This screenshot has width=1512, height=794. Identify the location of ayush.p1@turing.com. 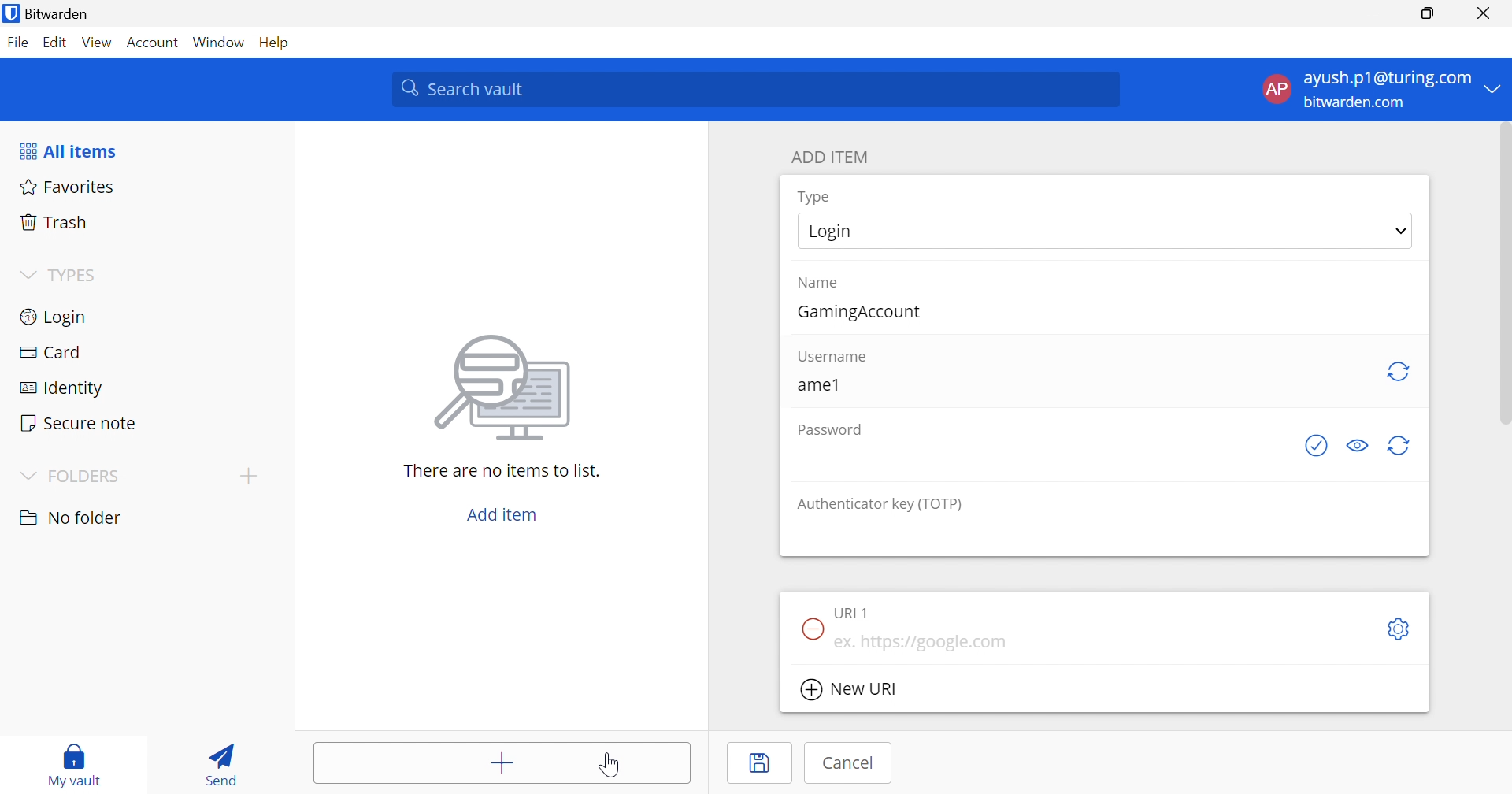
(1390, 80).